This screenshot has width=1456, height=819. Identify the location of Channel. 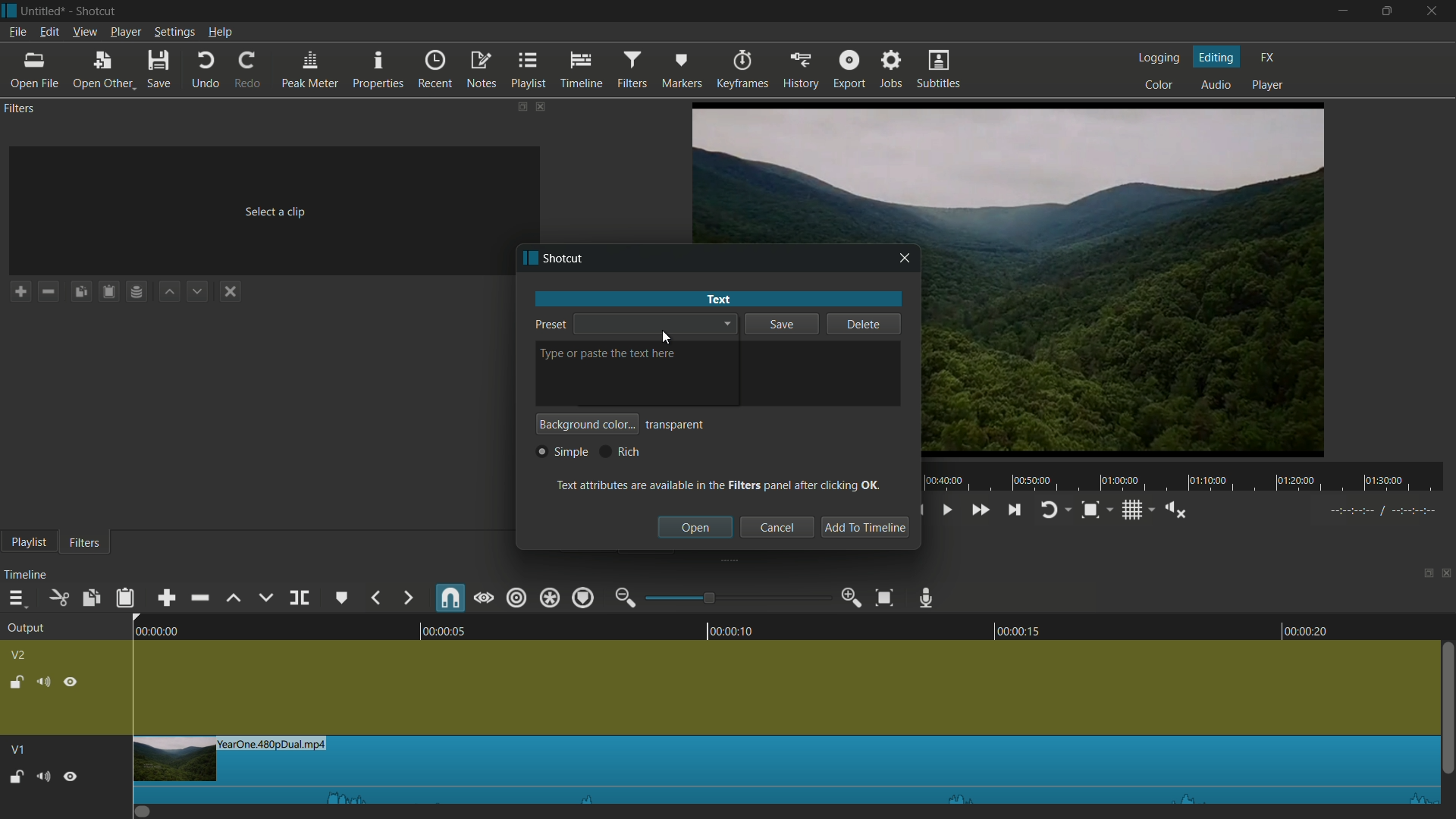
(137, 293).